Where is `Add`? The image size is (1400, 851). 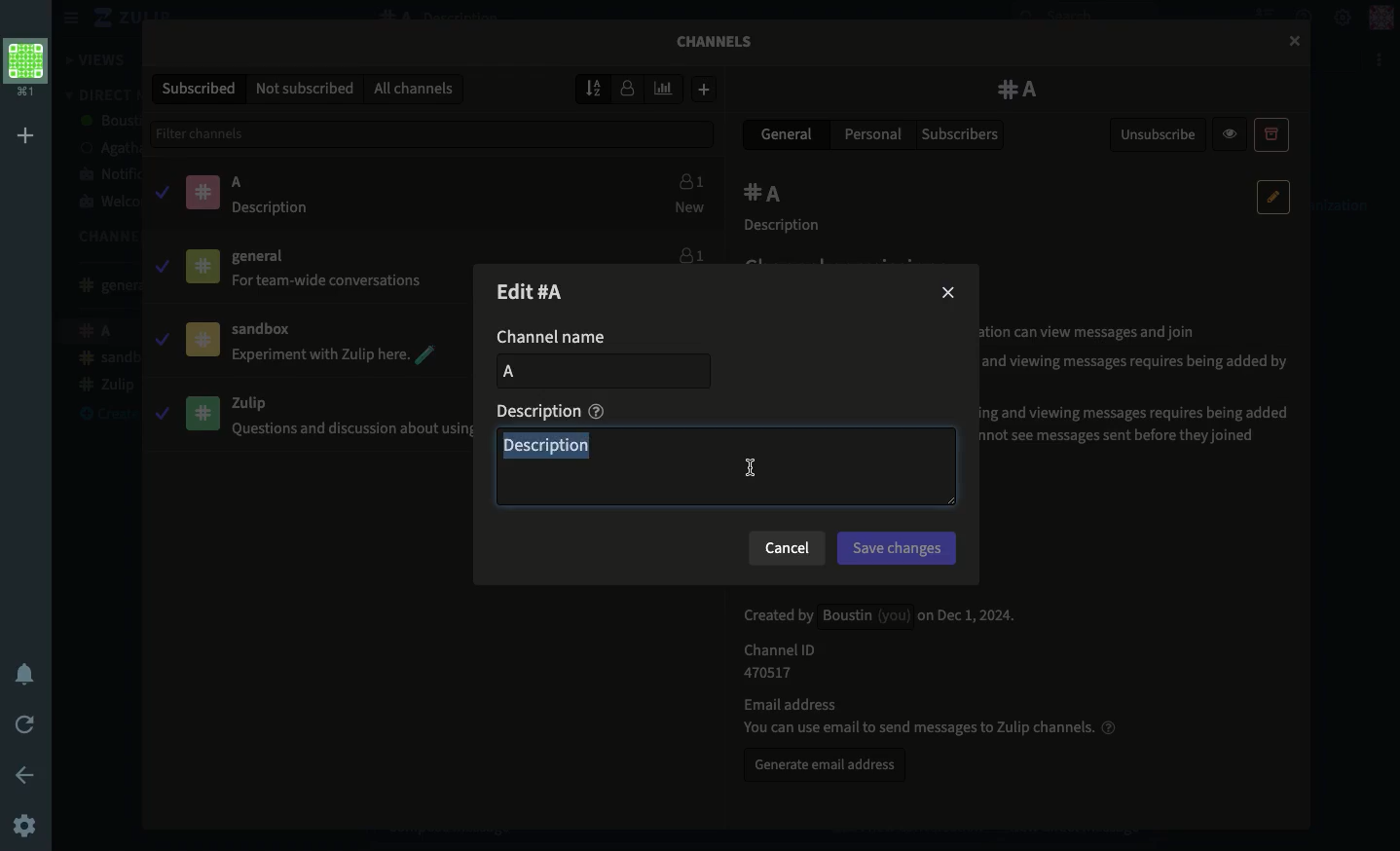 Add is located at coordinates (29, 135).